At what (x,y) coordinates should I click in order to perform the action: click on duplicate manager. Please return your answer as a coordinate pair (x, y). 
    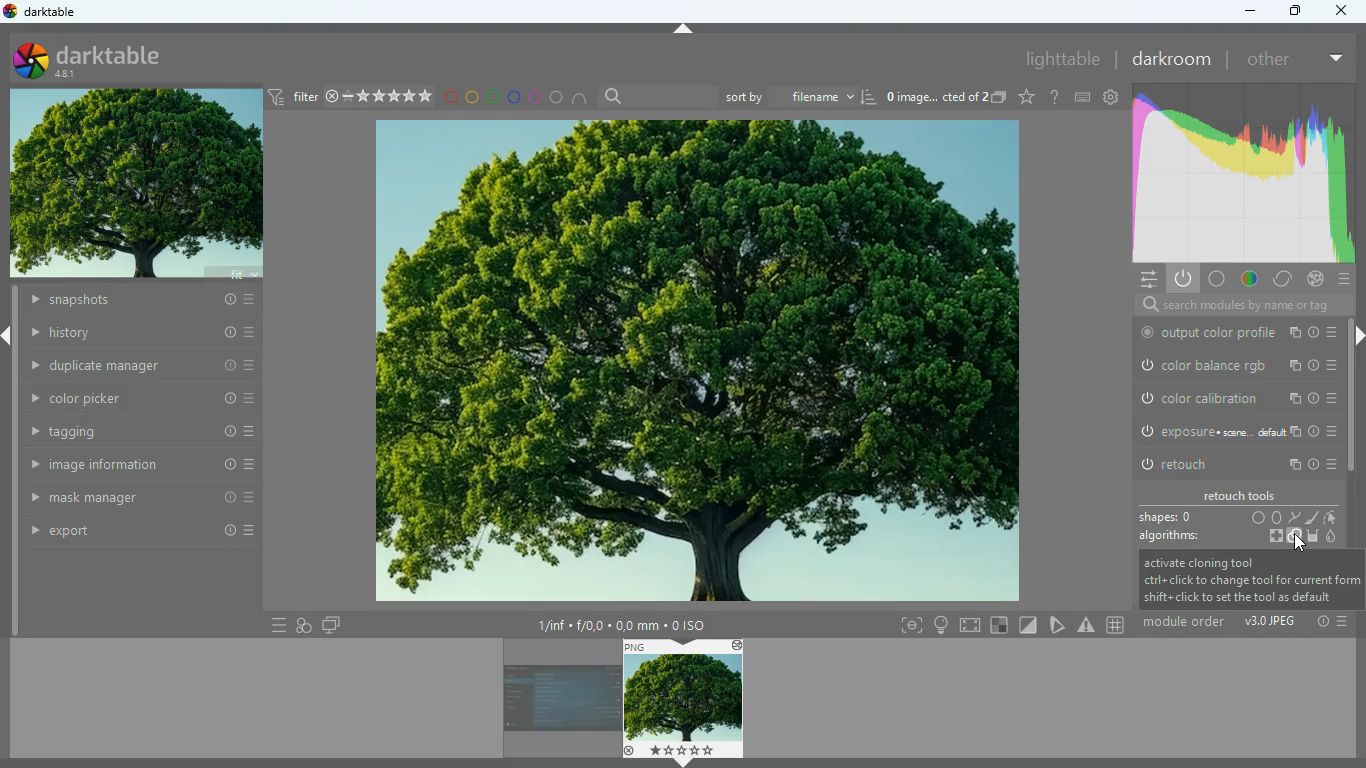
    Looking at the image, I should click on (149, 365).